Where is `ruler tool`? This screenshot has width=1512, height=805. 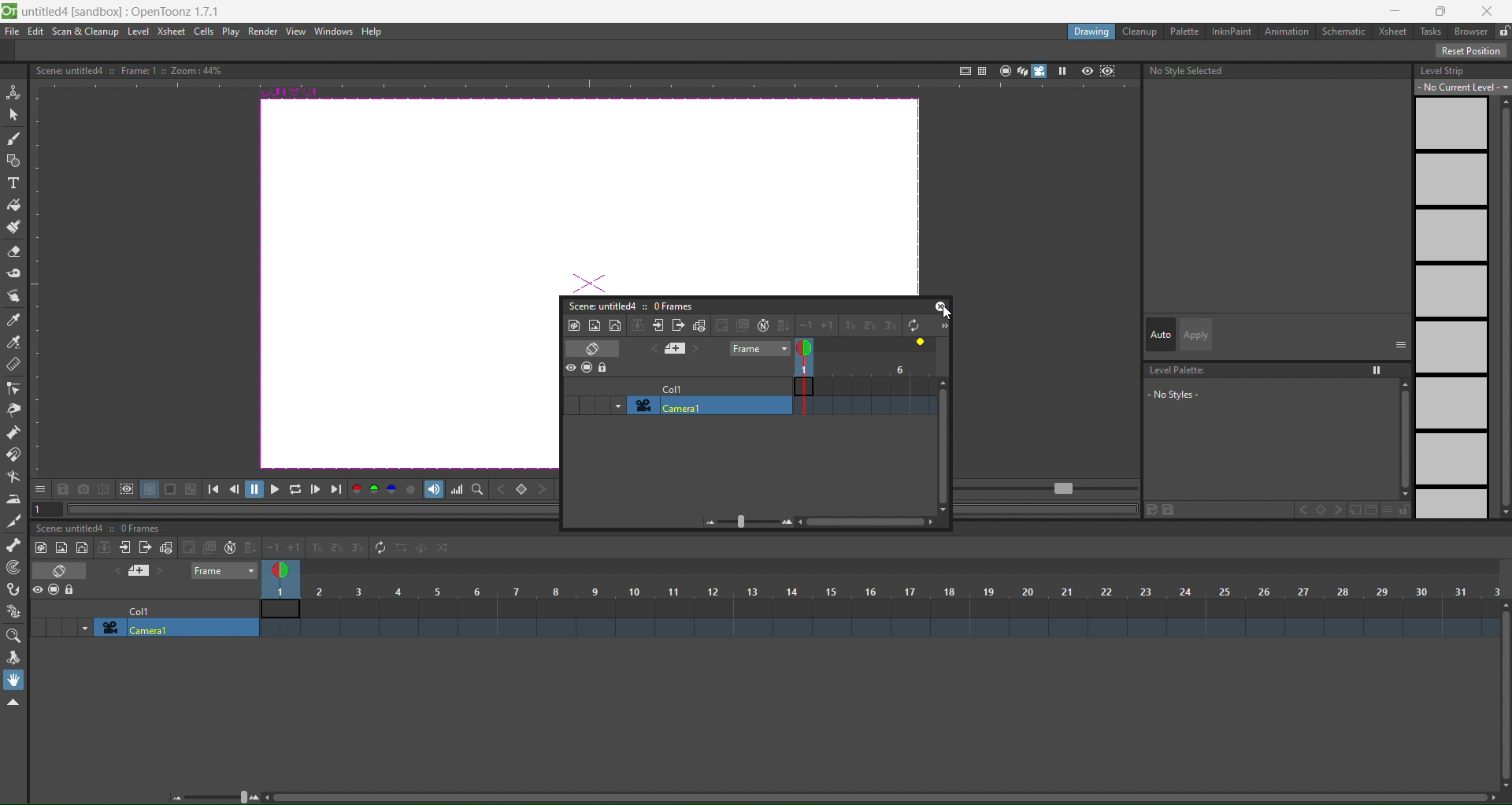 ruler tool is located at coordinates (12, 364).